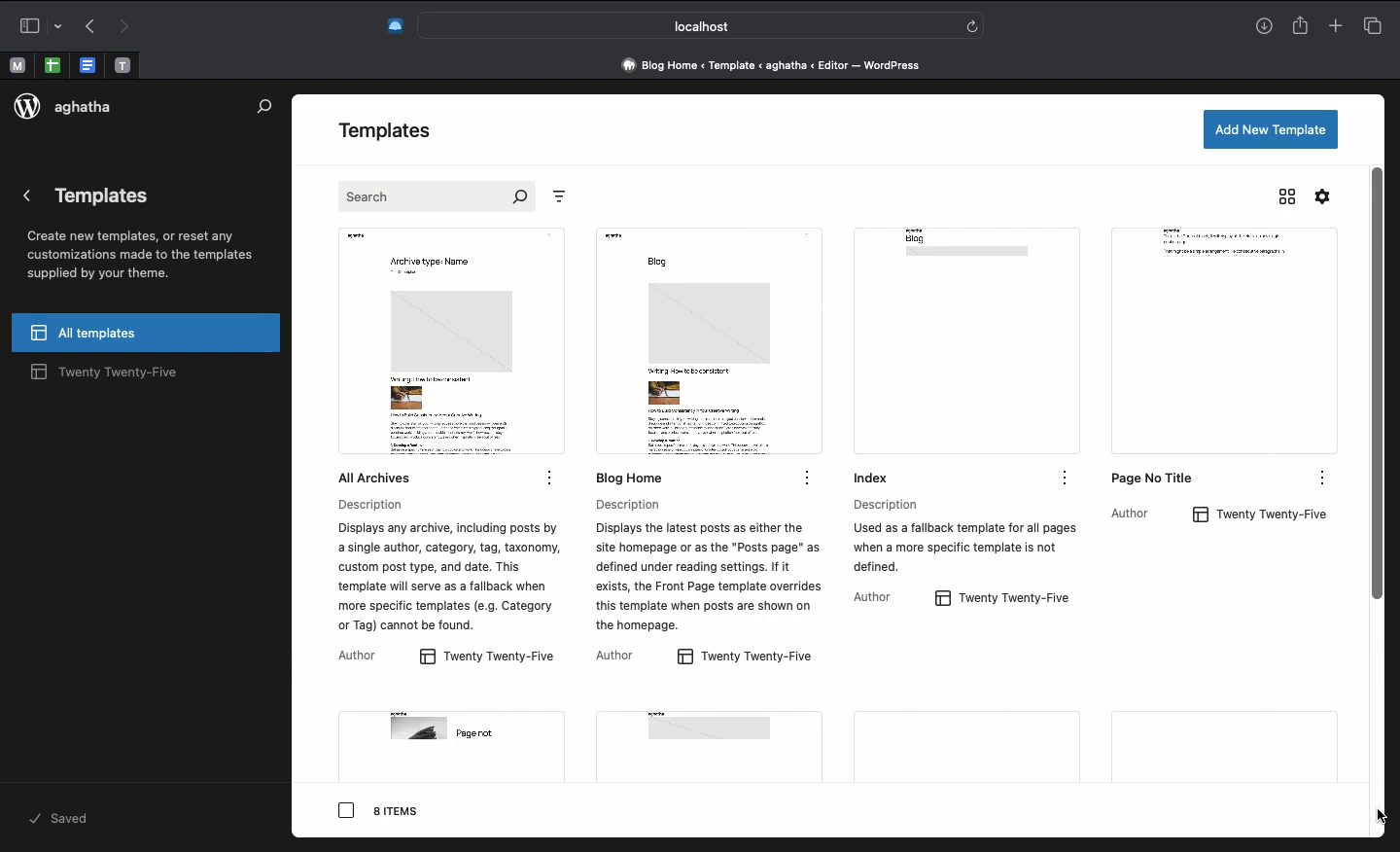  I want to click on Tabs, so click(1372, 25).